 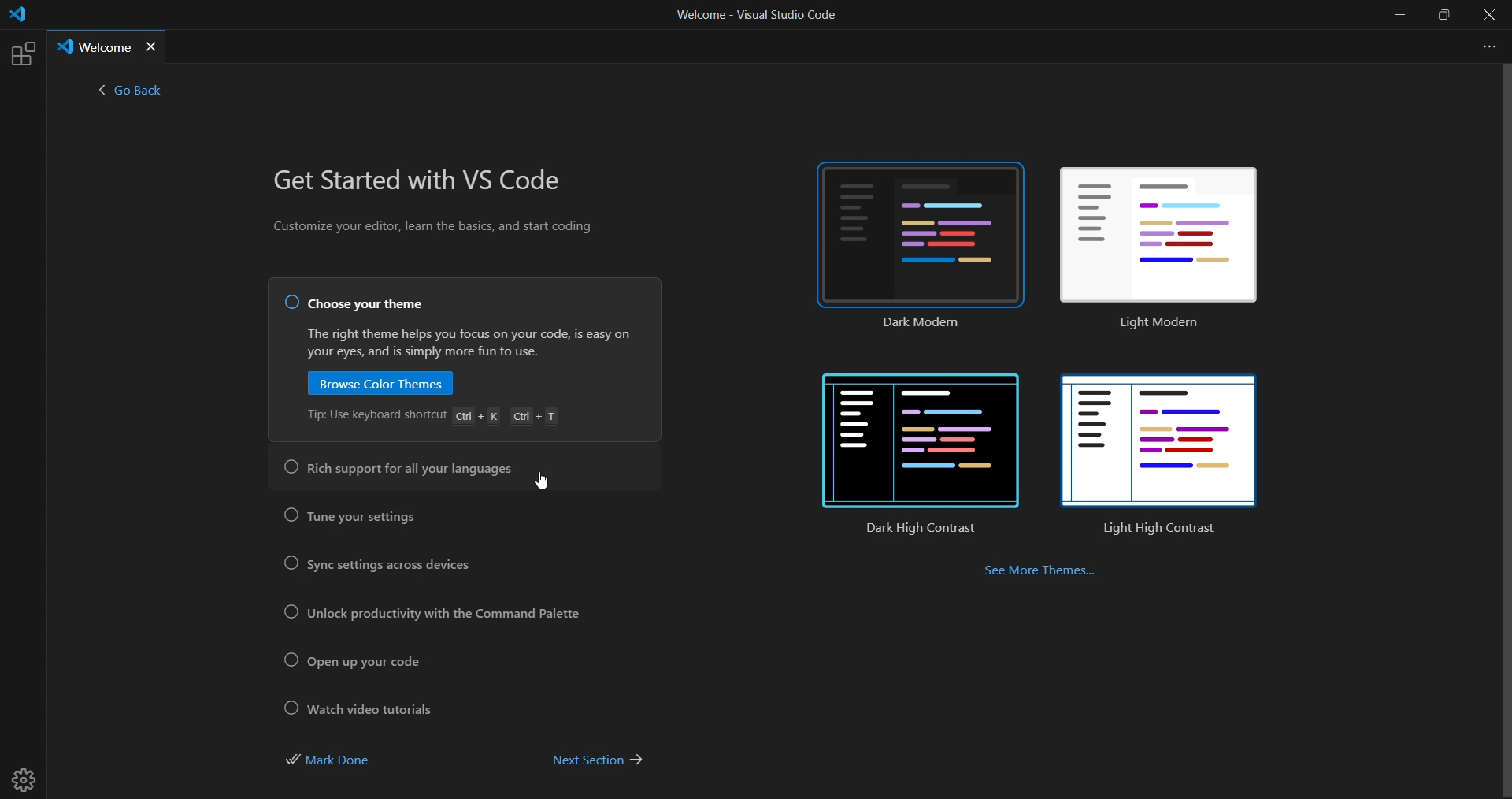 I want to click on next section, so click(x=603, y=758).